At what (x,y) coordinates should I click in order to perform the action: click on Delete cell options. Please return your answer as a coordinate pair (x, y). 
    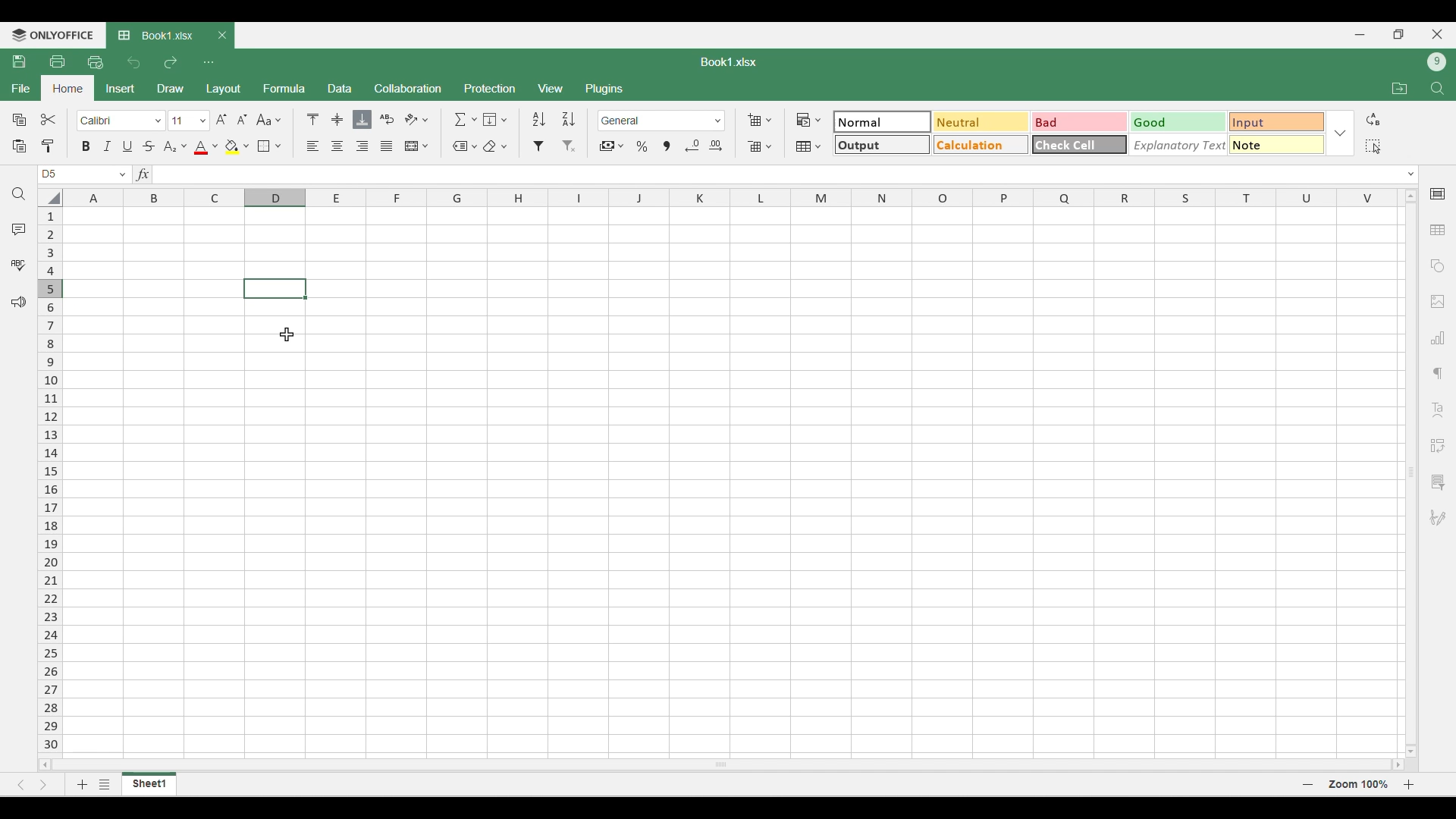
    Looking at the image, I should click on (759, 146).